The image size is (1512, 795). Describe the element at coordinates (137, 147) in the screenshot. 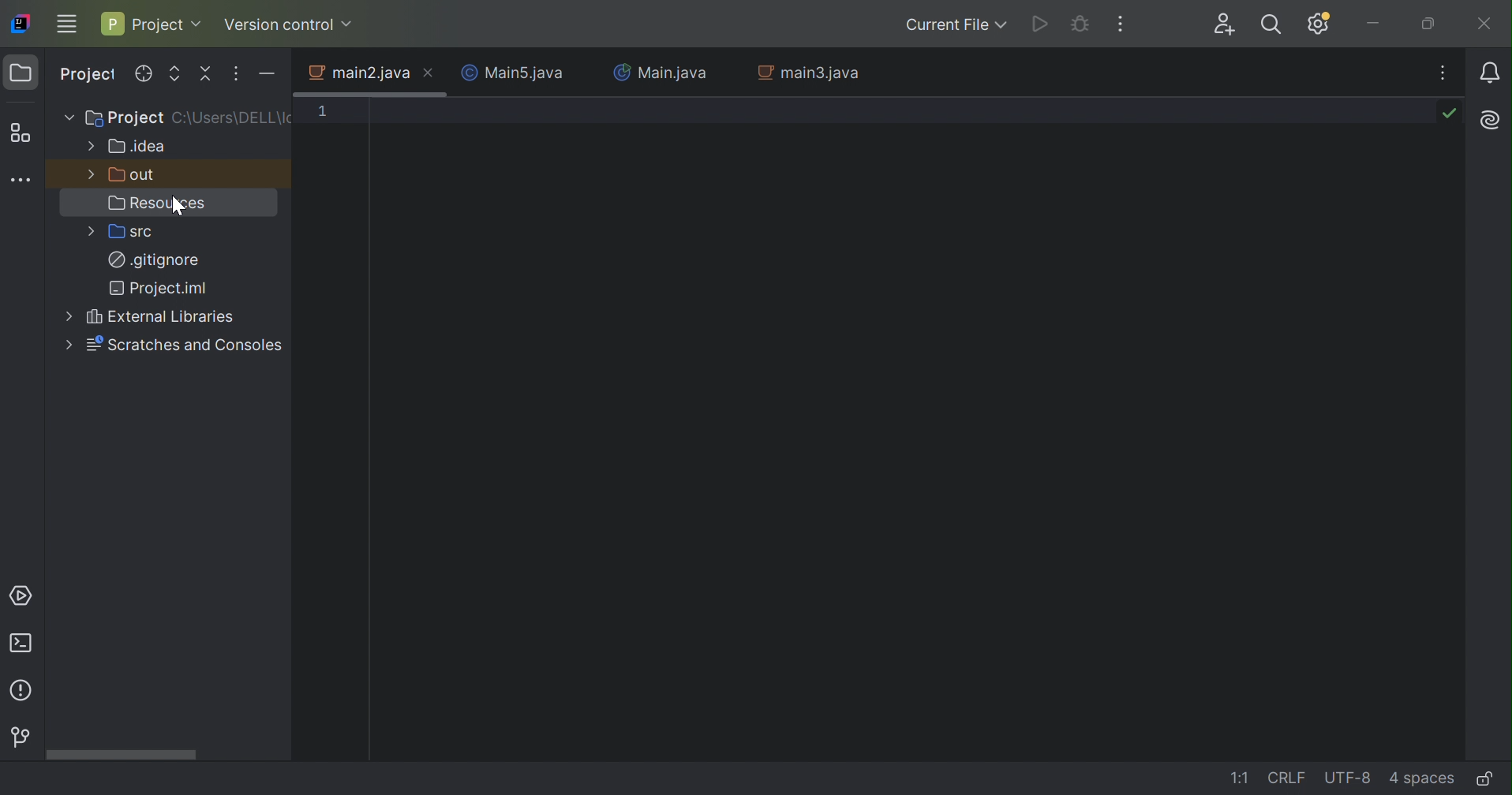

I see `.idea` at that location.